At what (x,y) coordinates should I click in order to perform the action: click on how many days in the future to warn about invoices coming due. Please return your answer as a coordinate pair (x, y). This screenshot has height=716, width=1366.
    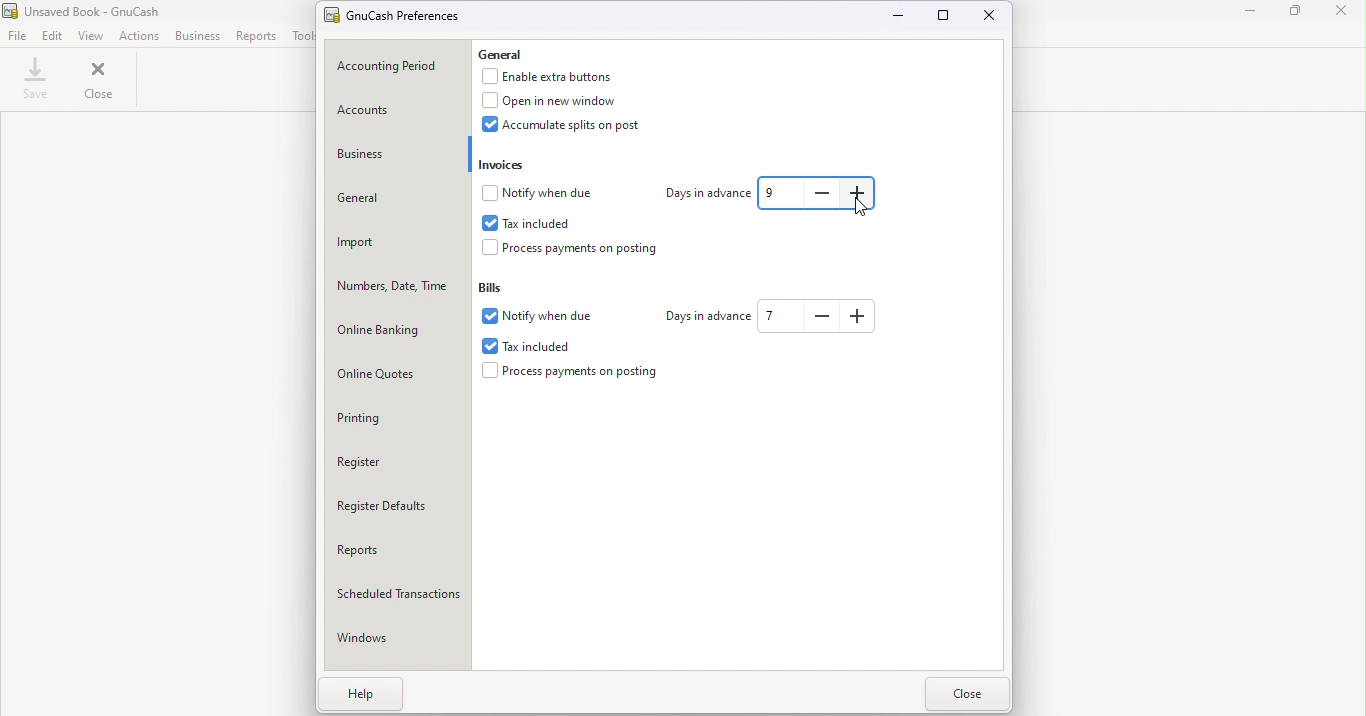
    Looking at the image, I should click on (859, 193).